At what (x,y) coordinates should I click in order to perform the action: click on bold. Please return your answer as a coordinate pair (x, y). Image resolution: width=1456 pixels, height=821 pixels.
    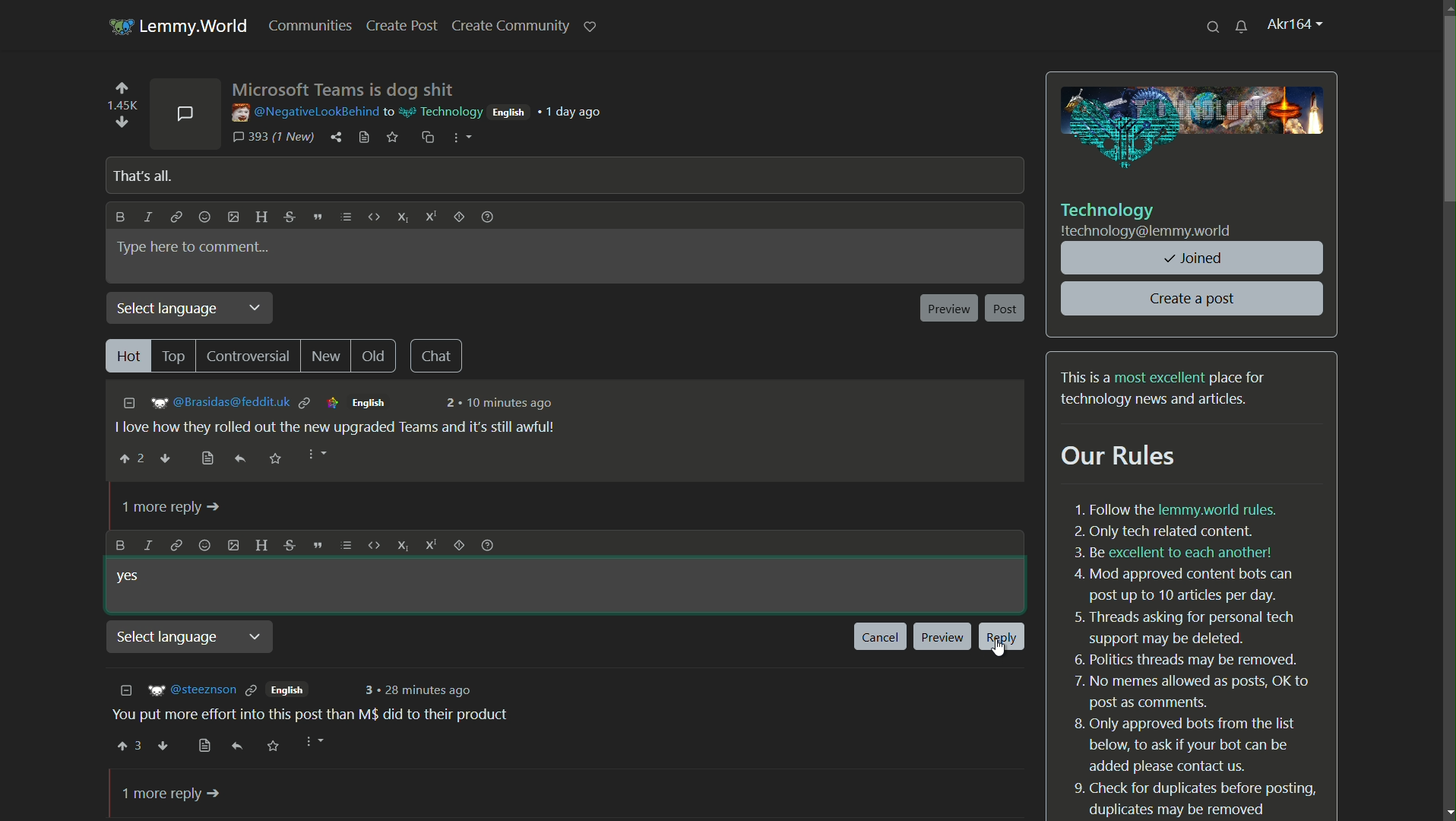
    Looking at the image, I should click on (118, 217).